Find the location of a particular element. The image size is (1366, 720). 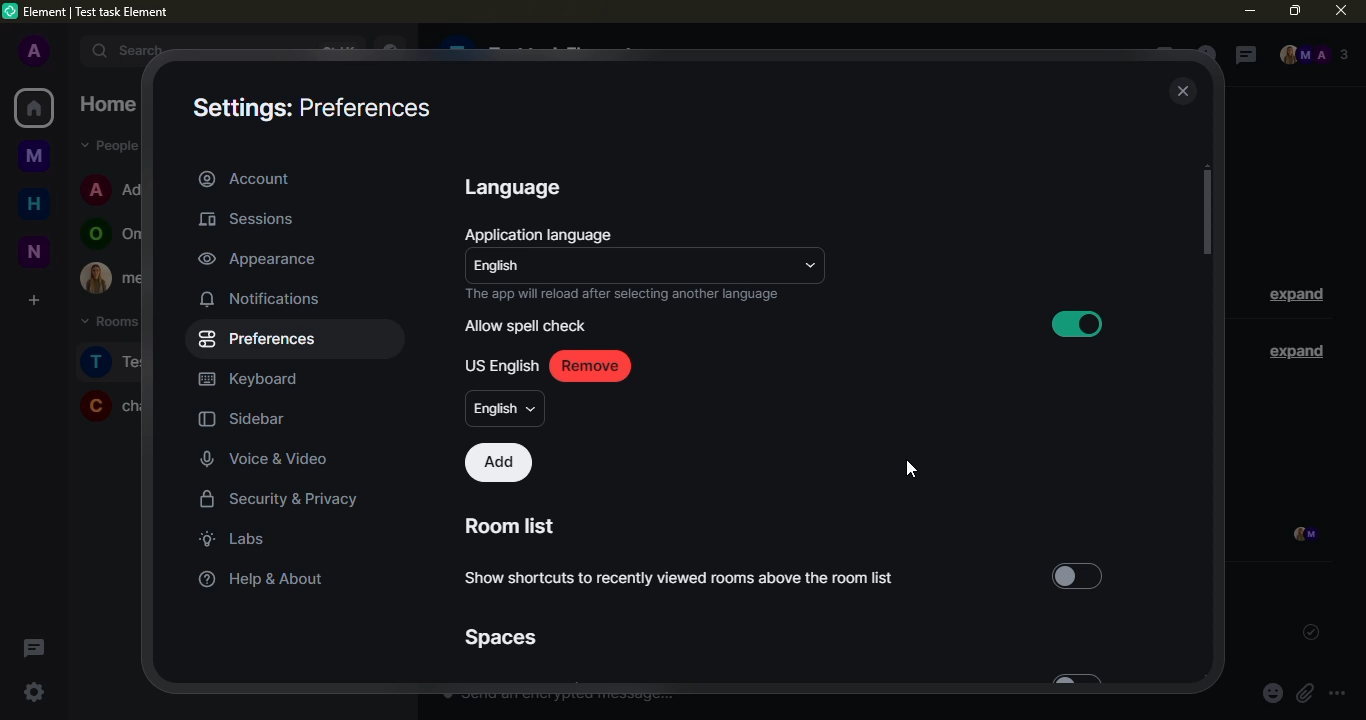

sent is located at coordinates (1309, 633).